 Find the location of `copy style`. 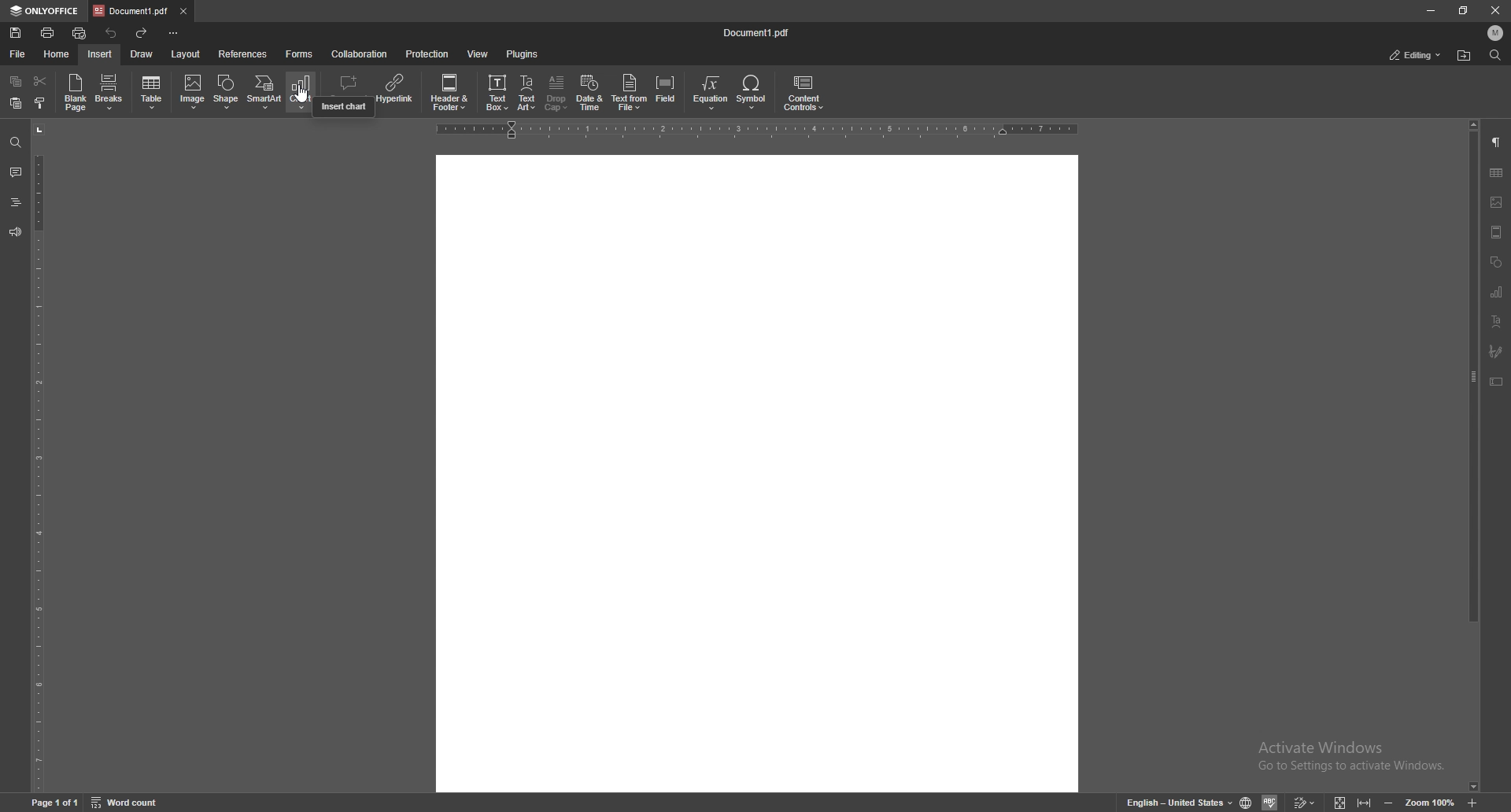

copy style is located at coordinates (39, 104).